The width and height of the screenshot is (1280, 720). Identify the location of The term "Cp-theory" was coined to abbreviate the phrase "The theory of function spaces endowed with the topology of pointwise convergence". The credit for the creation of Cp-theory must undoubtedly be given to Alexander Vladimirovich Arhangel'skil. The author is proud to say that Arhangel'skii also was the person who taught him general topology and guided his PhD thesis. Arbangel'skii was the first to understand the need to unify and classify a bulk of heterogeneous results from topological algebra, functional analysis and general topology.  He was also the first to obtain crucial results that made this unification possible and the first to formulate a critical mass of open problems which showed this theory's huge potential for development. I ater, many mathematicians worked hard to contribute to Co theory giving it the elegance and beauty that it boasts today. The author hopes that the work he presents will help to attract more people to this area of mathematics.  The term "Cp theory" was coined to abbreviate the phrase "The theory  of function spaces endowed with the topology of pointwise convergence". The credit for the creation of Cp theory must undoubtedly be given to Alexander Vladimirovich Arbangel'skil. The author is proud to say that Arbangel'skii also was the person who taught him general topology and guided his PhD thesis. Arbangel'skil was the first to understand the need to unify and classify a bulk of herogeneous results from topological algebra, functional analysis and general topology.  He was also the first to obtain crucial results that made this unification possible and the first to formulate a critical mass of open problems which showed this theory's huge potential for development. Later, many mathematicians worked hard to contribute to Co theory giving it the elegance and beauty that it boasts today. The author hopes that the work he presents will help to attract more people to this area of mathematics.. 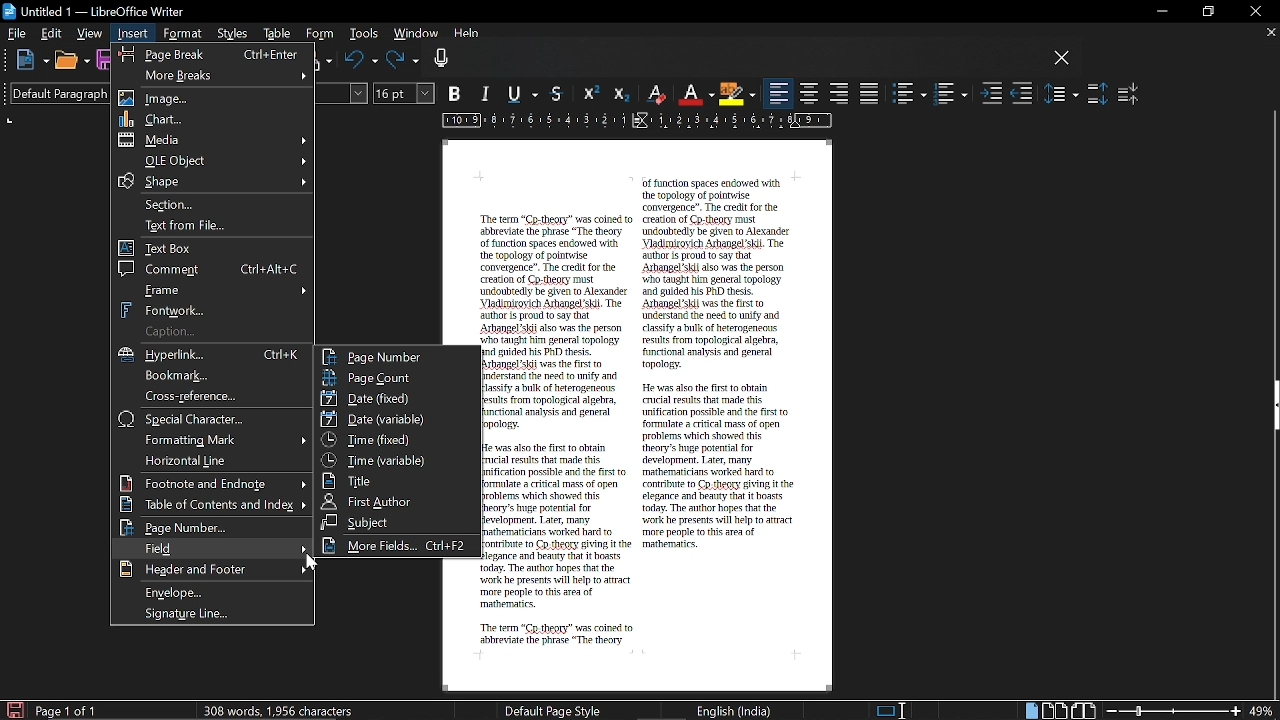
(642, 415).